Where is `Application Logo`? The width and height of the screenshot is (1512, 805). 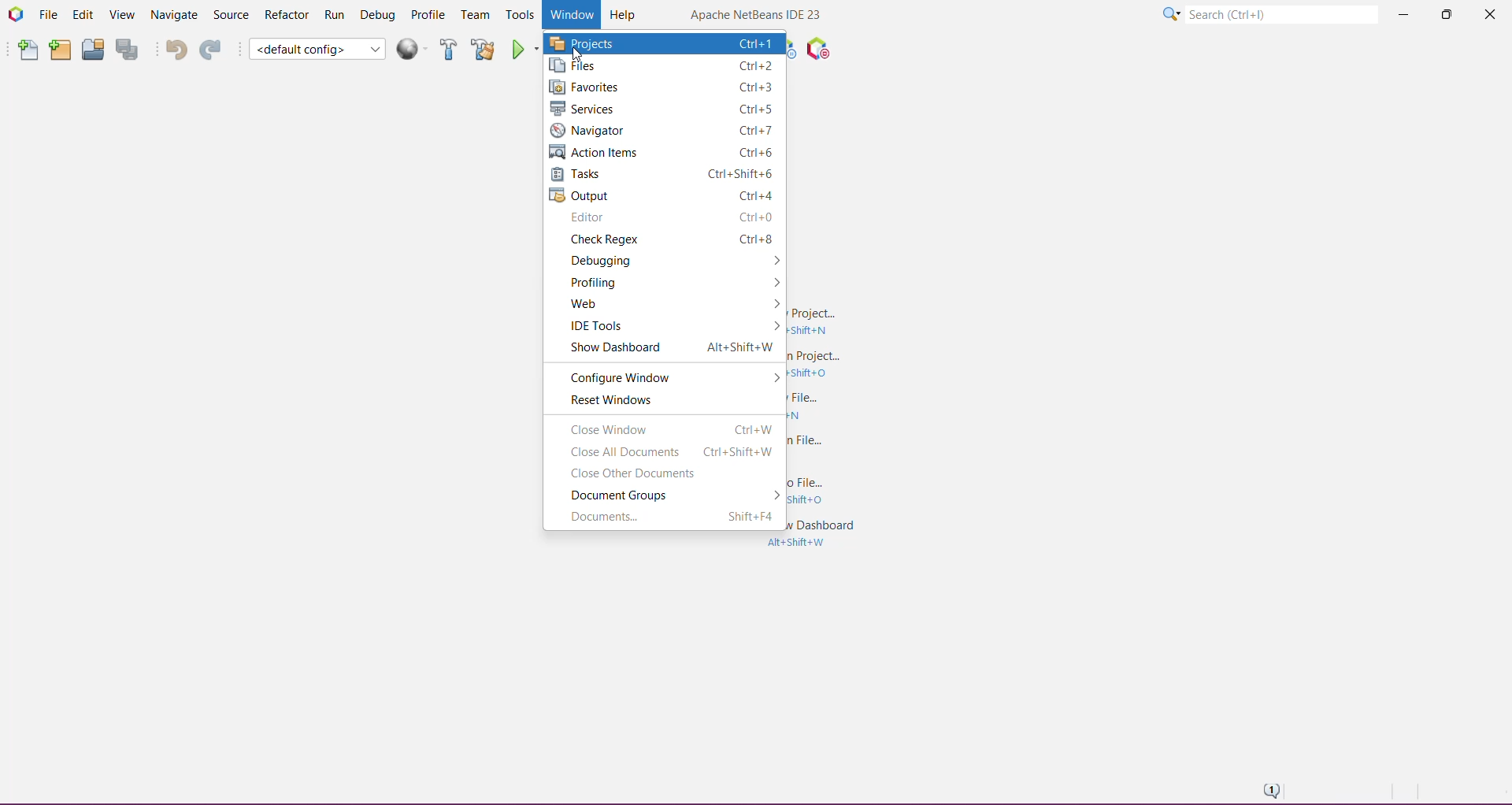
Application Logo is located at coordinates (15, 14).